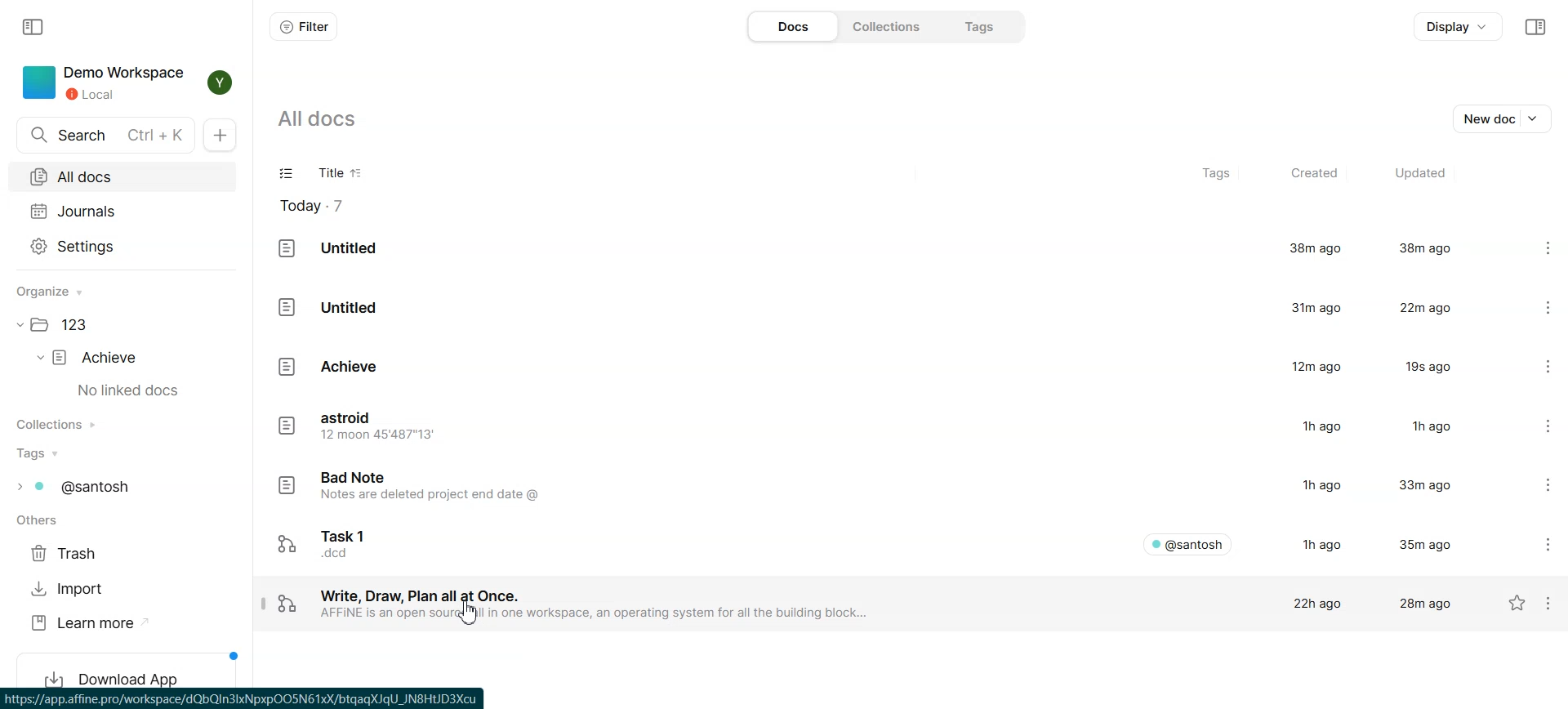  What do you see at coordinates (41, 453) in the screenshot?
I see `Tags` at bounding box center [41, 453].